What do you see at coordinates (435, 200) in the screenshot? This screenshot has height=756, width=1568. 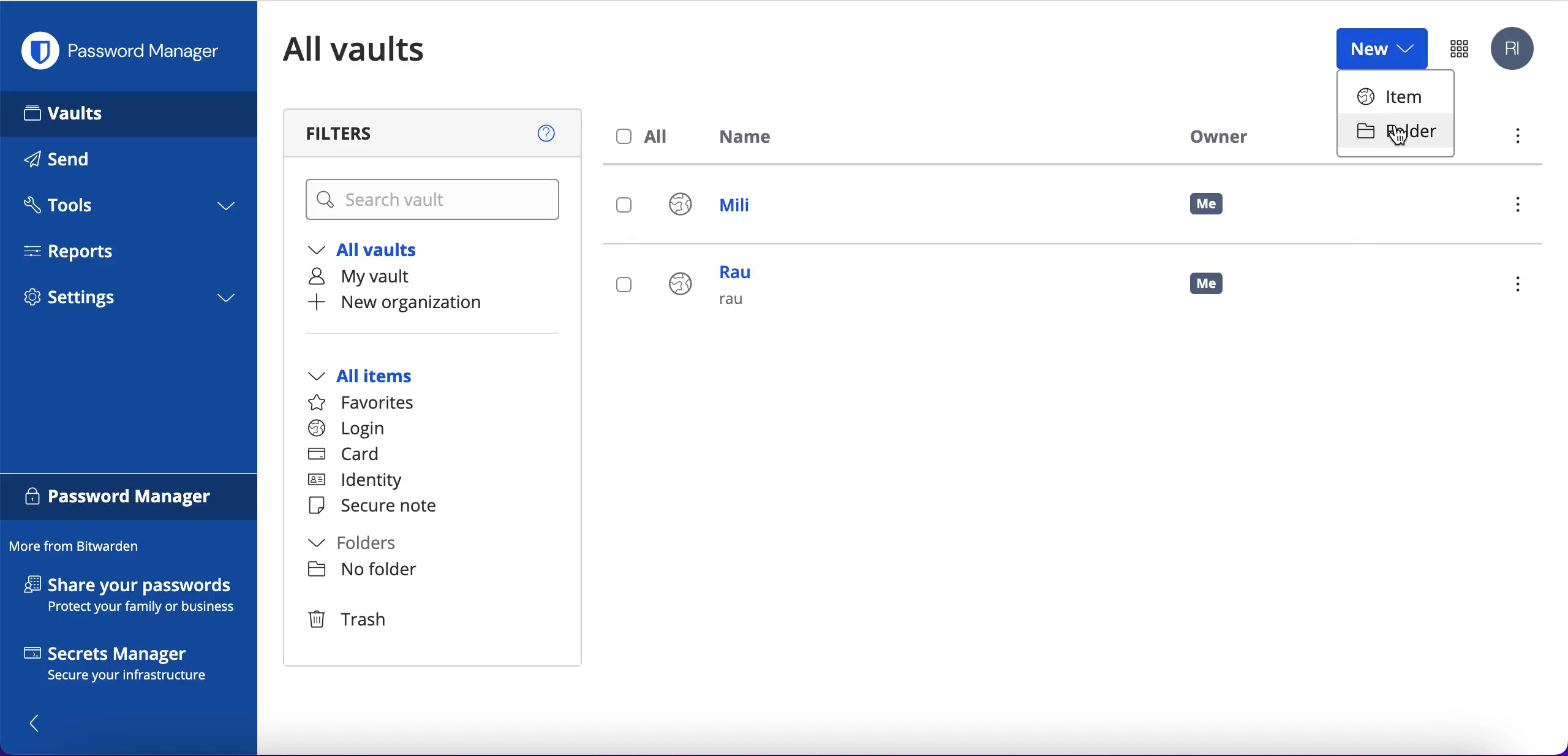 I see `search vault` at bounding box center [435, 200].